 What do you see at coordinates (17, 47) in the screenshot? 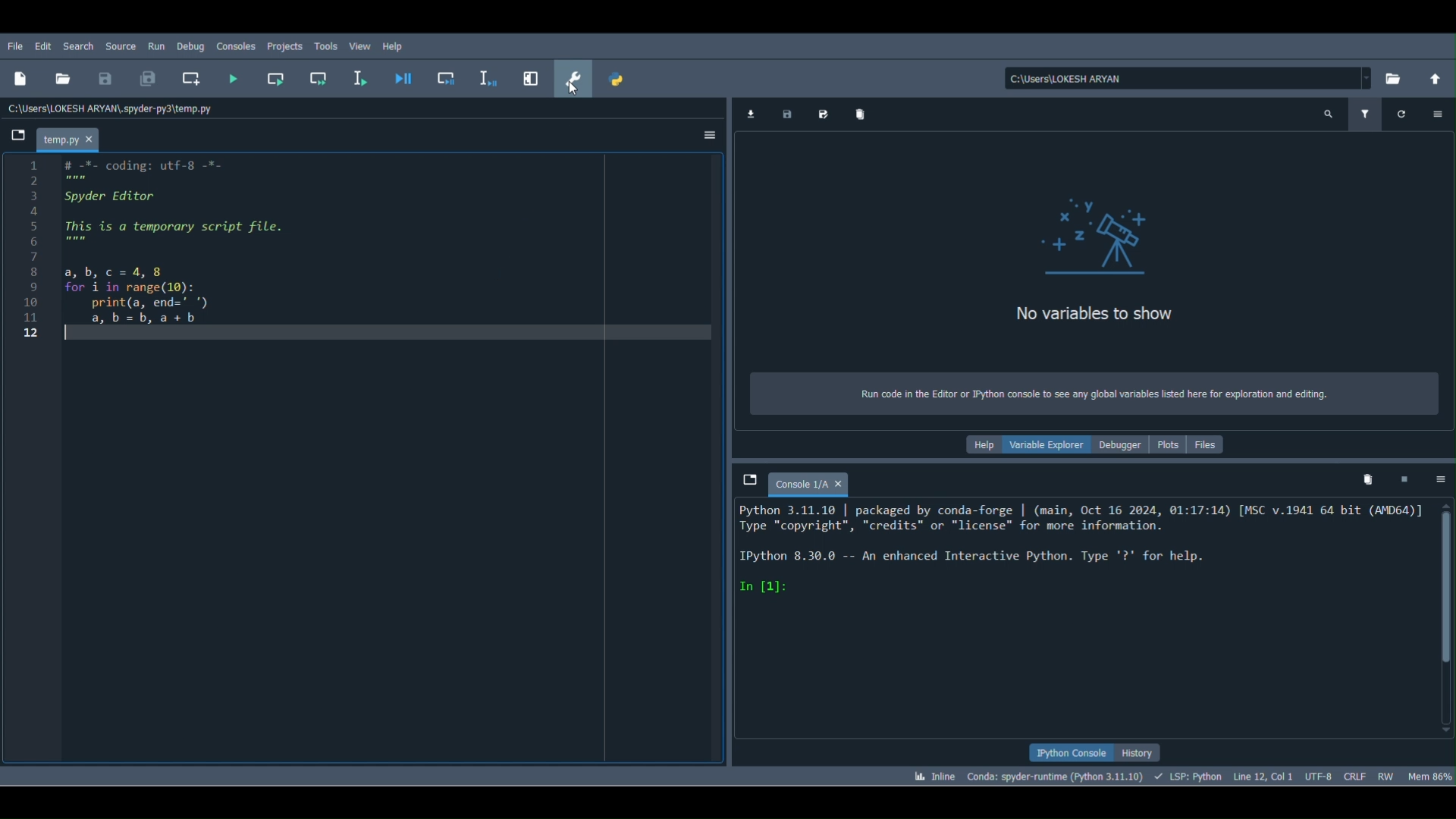
I see `File` at bounding box center [17, 47].